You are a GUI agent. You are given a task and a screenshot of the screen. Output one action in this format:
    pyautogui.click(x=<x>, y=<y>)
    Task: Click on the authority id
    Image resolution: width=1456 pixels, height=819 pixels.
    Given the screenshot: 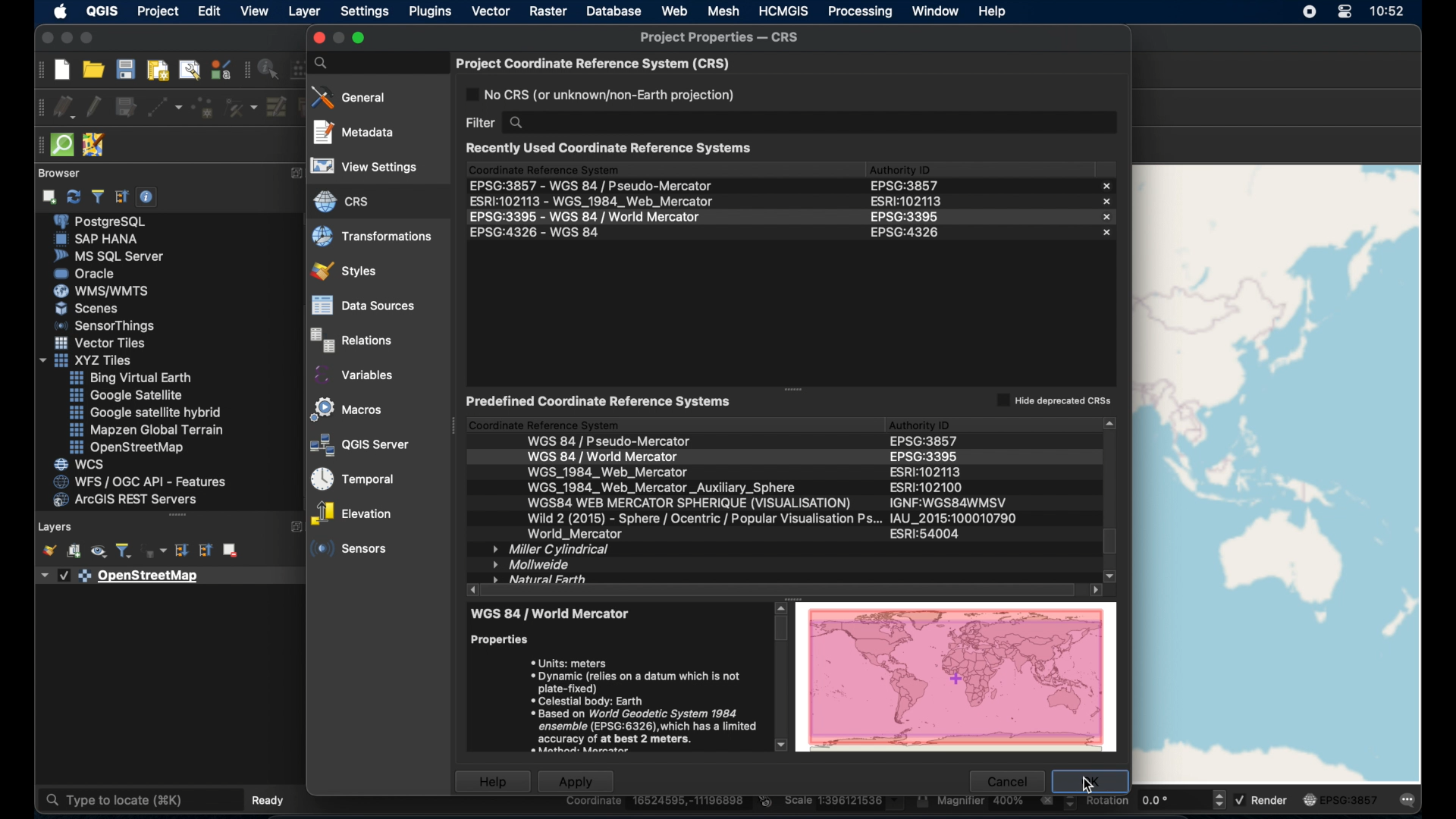 What is the action you would take?
    pyautogui.click(x=902, y=168)
    